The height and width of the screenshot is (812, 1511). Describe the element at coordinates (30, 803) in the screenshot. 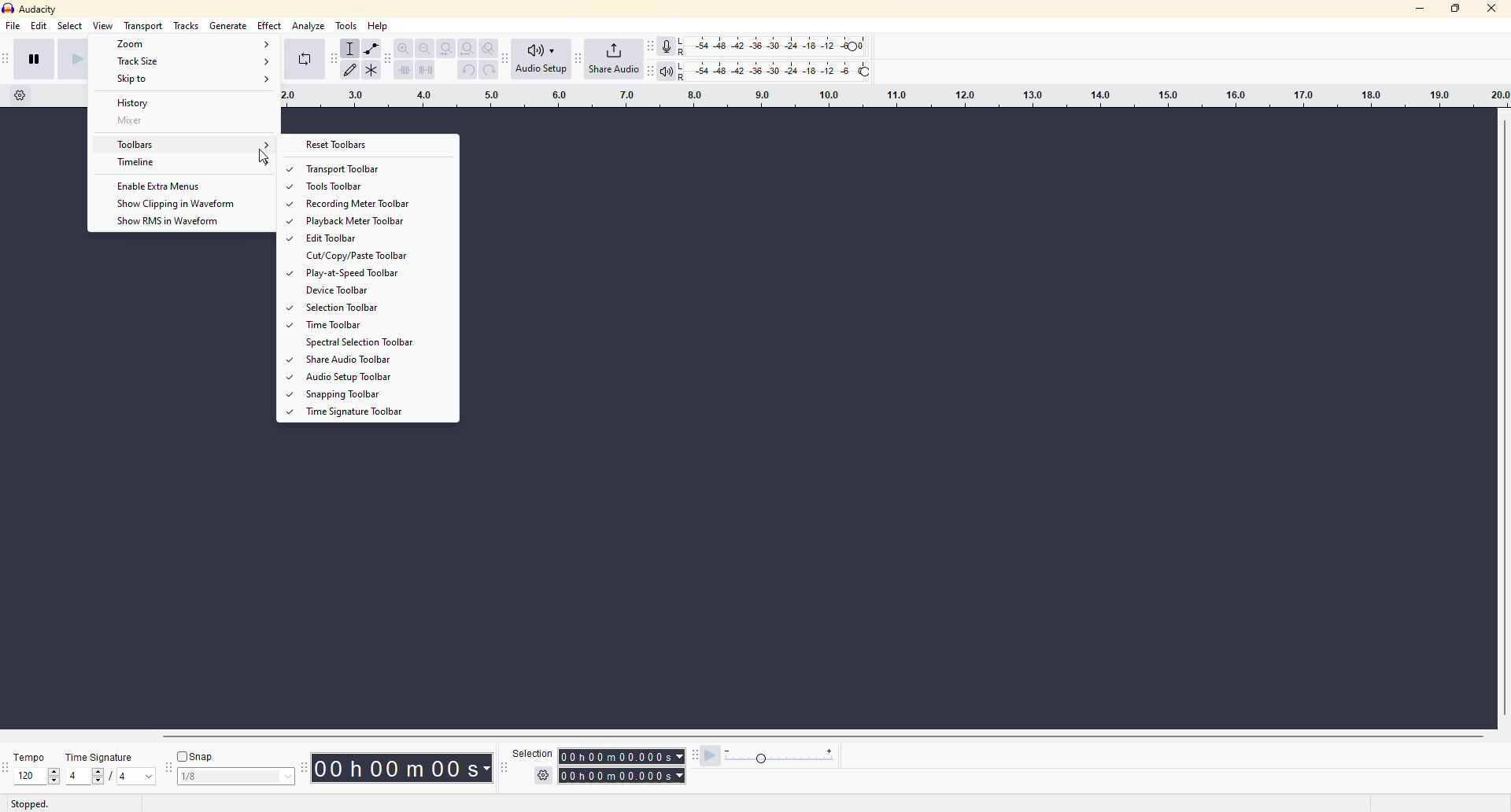

I see `stopped` at that location.